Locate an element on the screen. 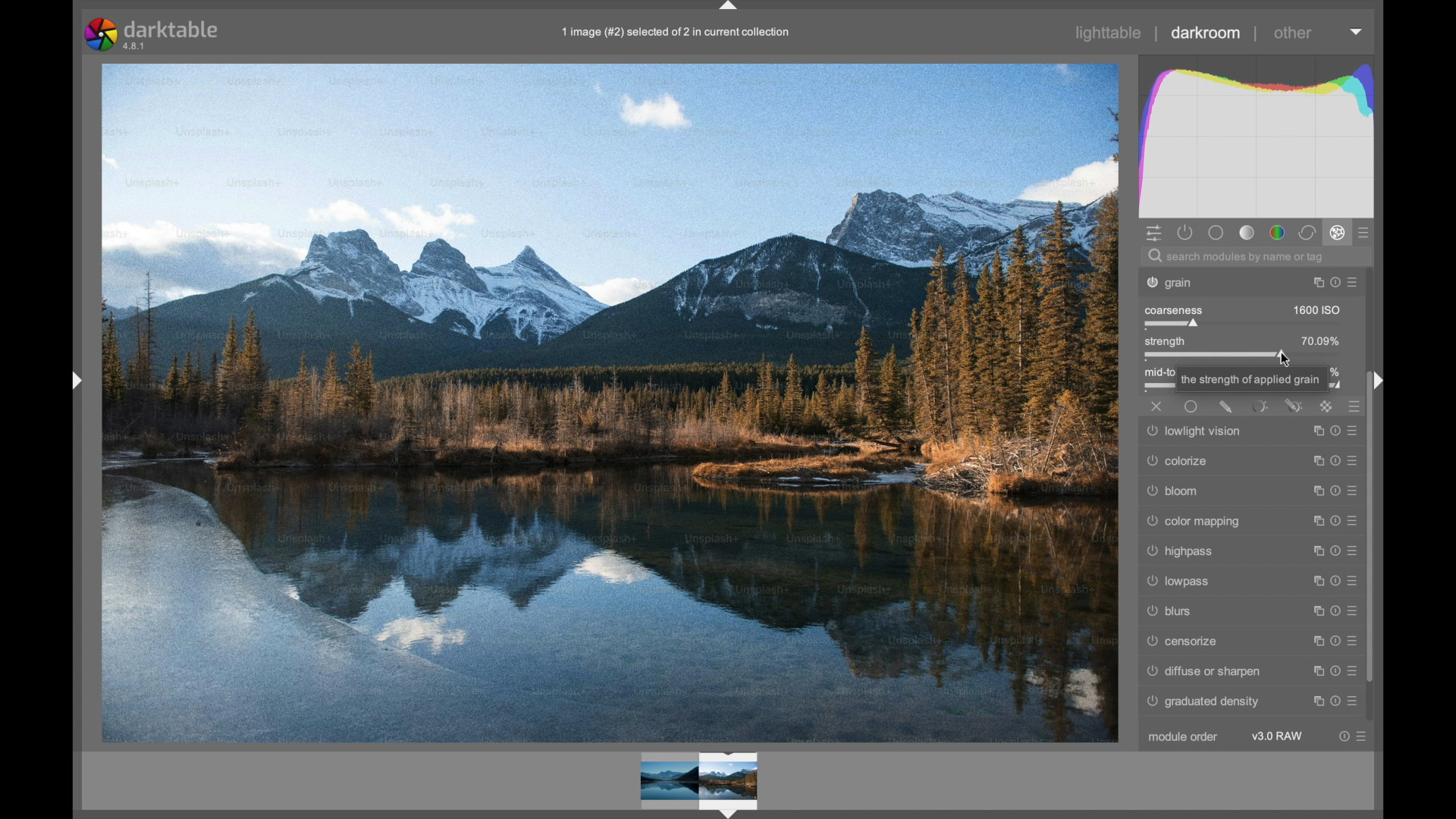  darktable 4.8.1 is located at coordinates (153, 34).